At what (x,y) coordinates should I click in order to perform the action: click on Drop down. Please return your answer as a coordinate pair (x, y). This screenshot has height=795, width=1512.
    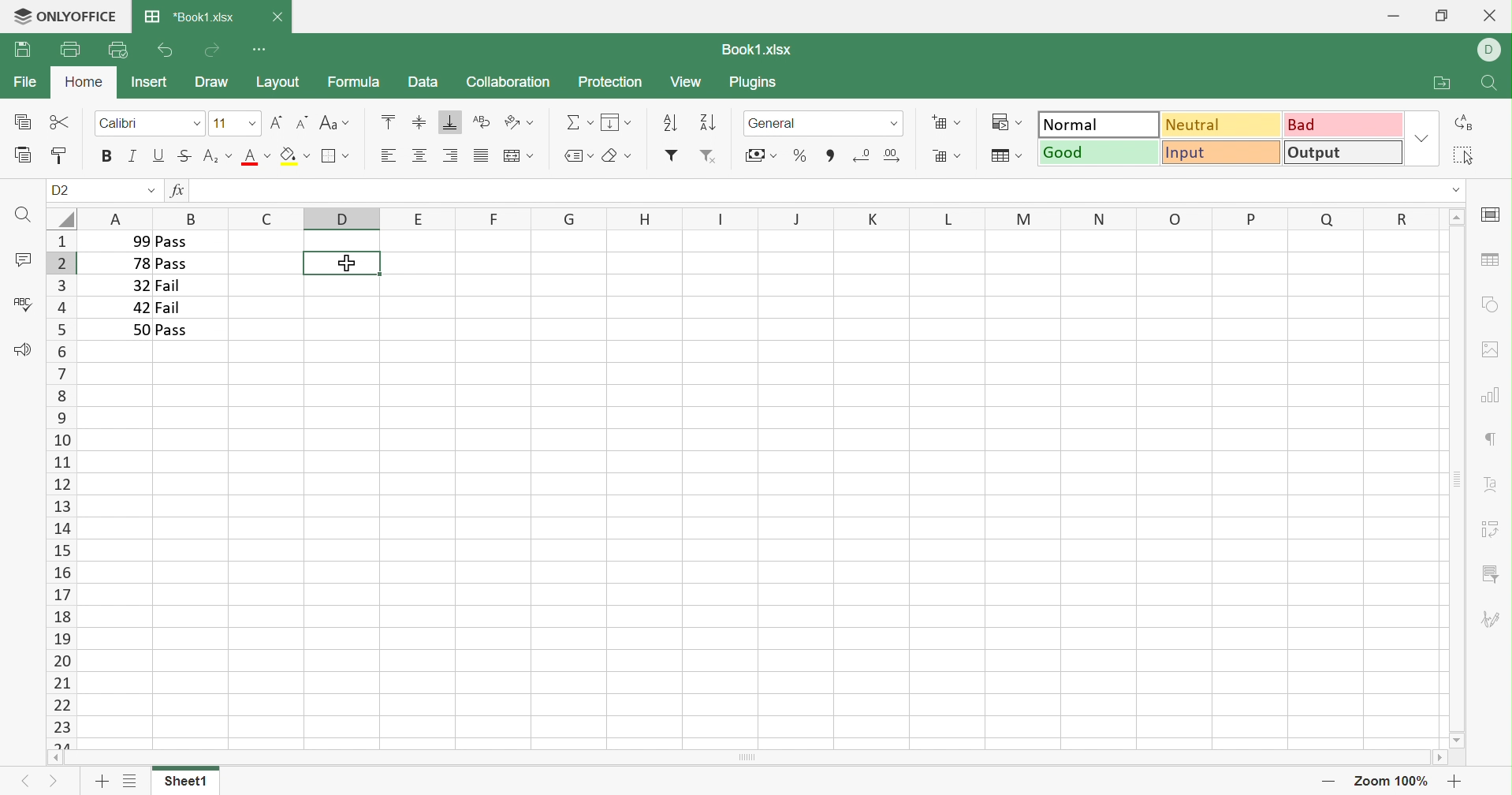
    Looking at the image, I should click on (1455, 189).